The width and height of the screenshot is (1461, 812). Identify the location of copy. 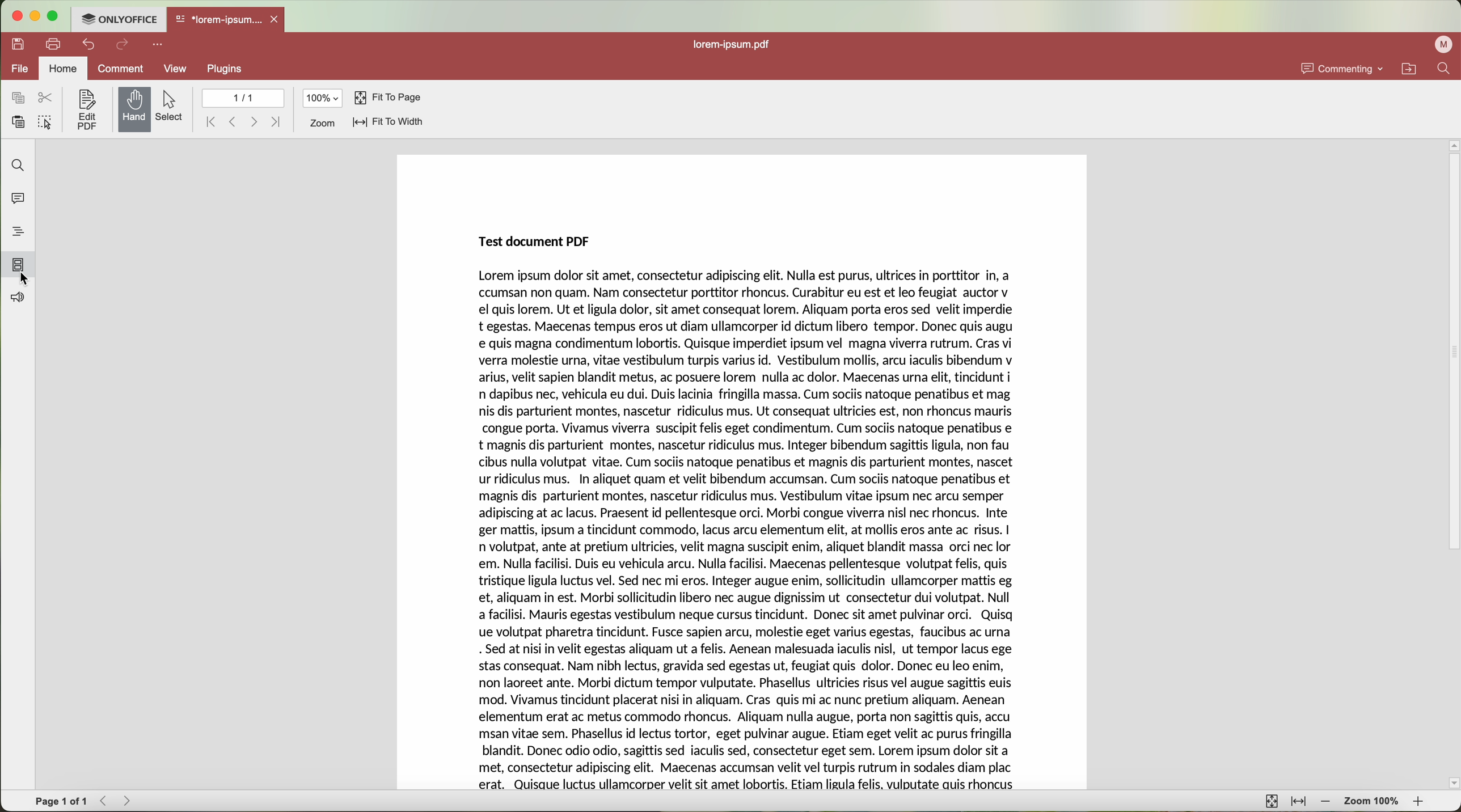
(15, 98).